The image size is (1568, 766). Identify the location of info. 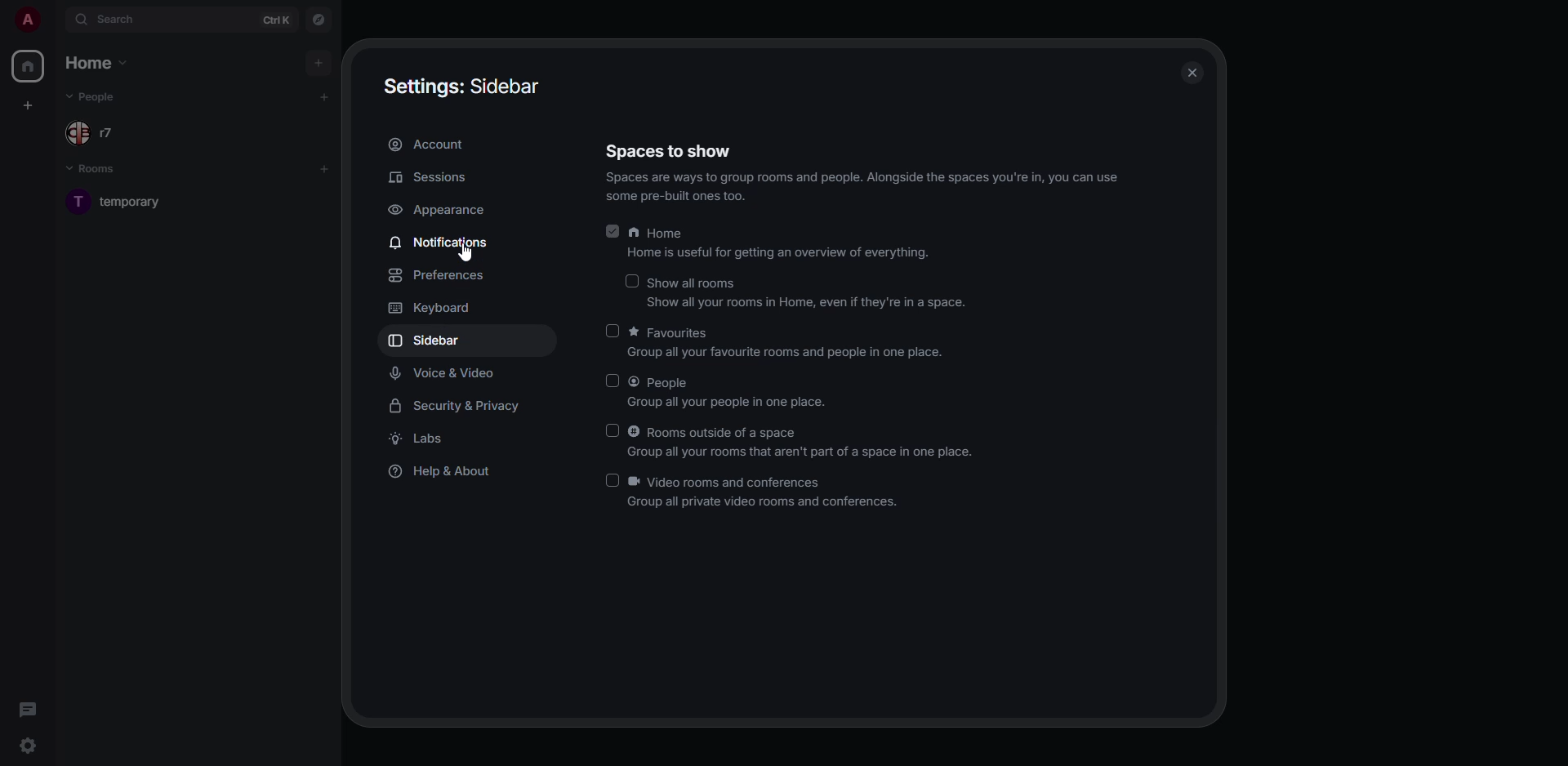
(866, 189).